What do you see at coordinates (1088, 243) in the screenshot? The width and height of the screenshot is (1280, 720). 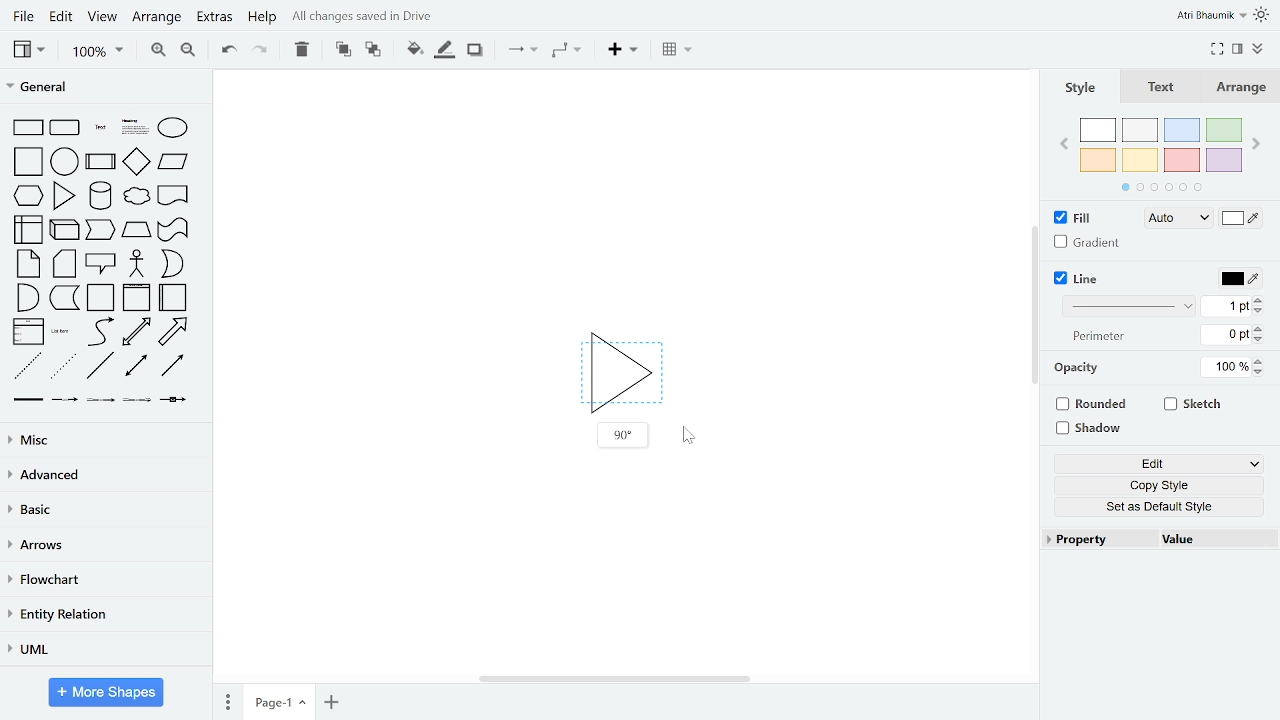 I see `fill gradient` at bounding box center [1088, 243].